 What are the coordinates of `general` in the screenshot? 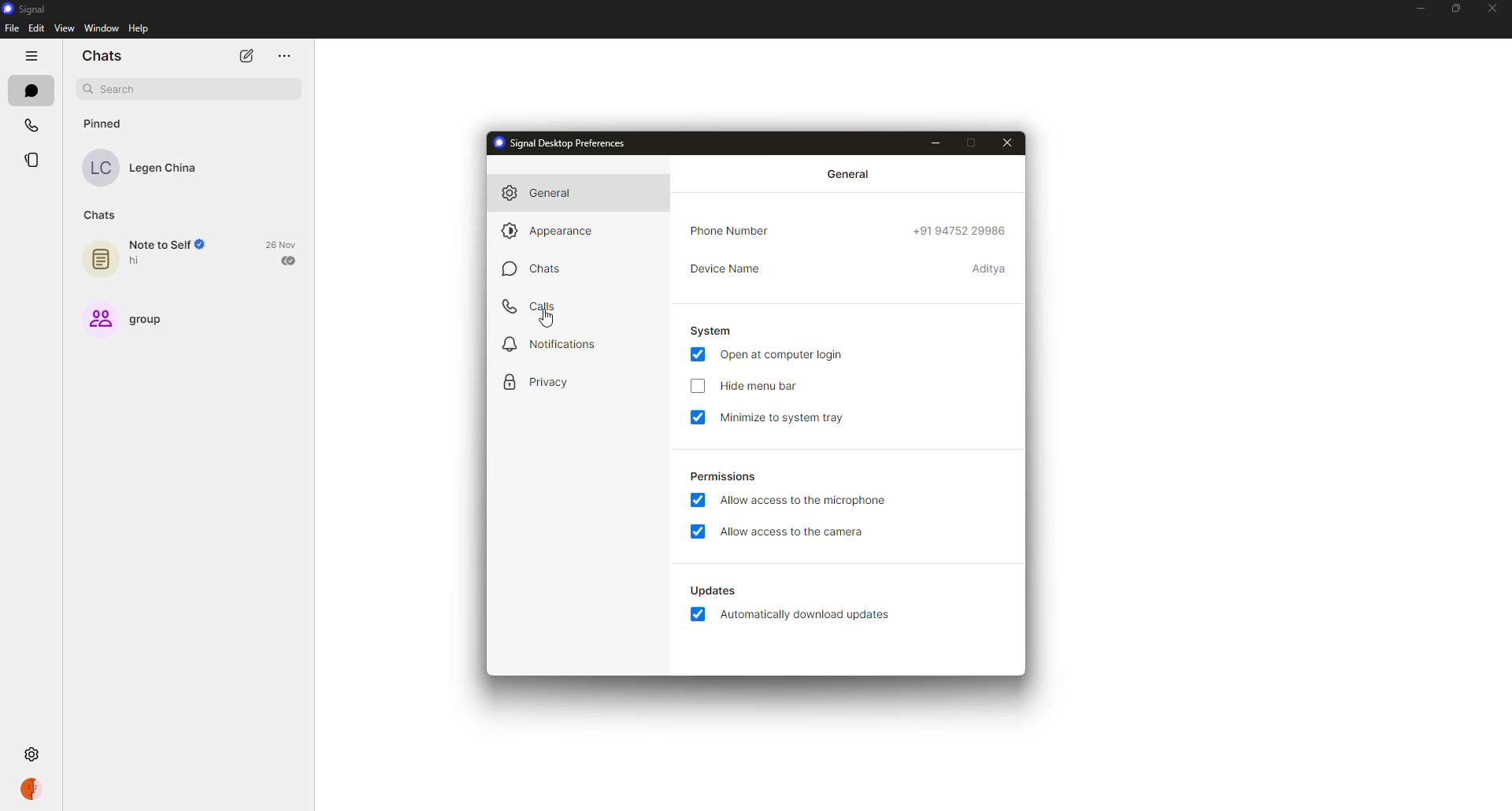 It's located at (547, 194).